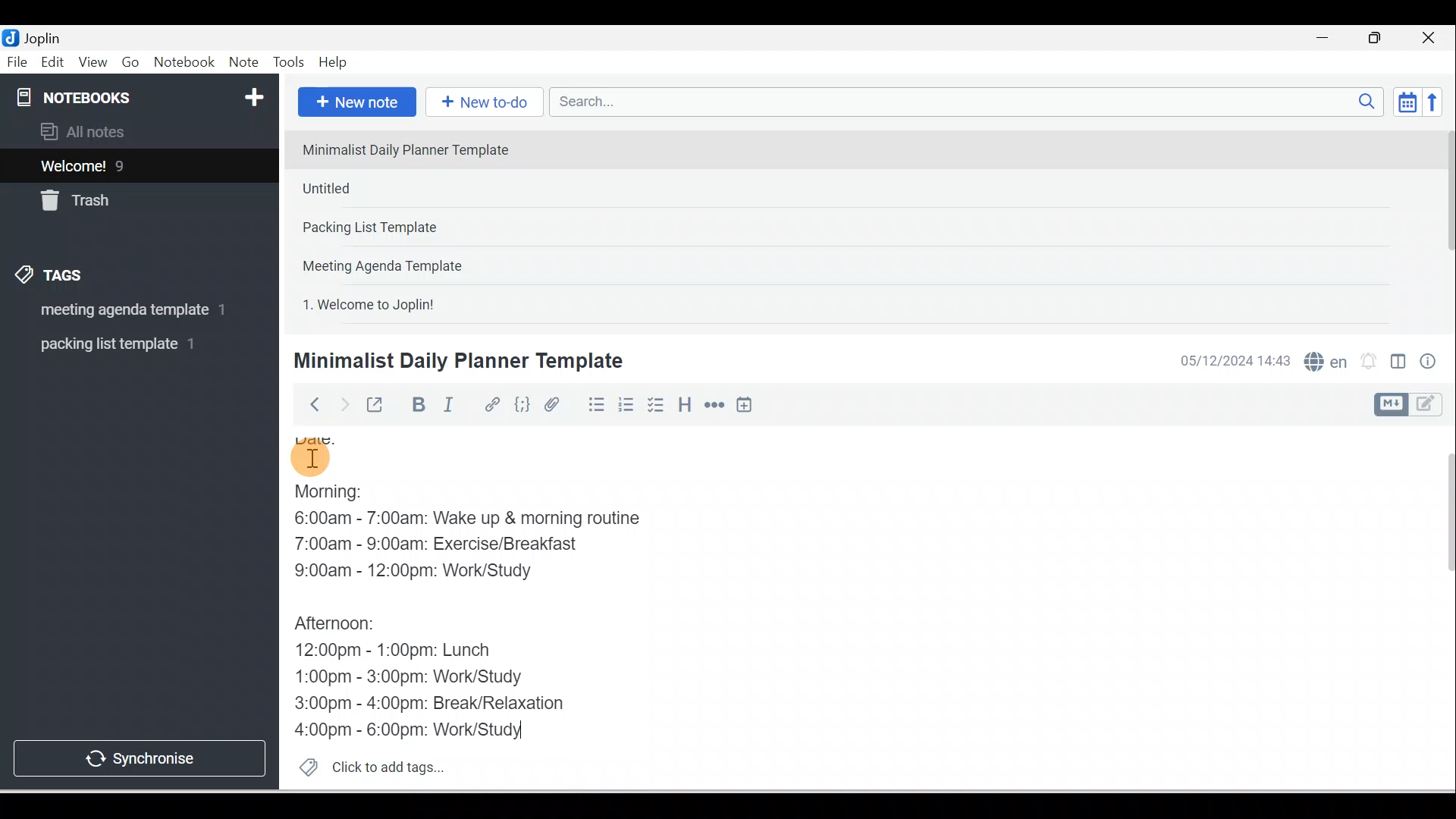 This screenshot has height=819, width=1456. I want to click on Toggle editor layout, so click(1414, 405).